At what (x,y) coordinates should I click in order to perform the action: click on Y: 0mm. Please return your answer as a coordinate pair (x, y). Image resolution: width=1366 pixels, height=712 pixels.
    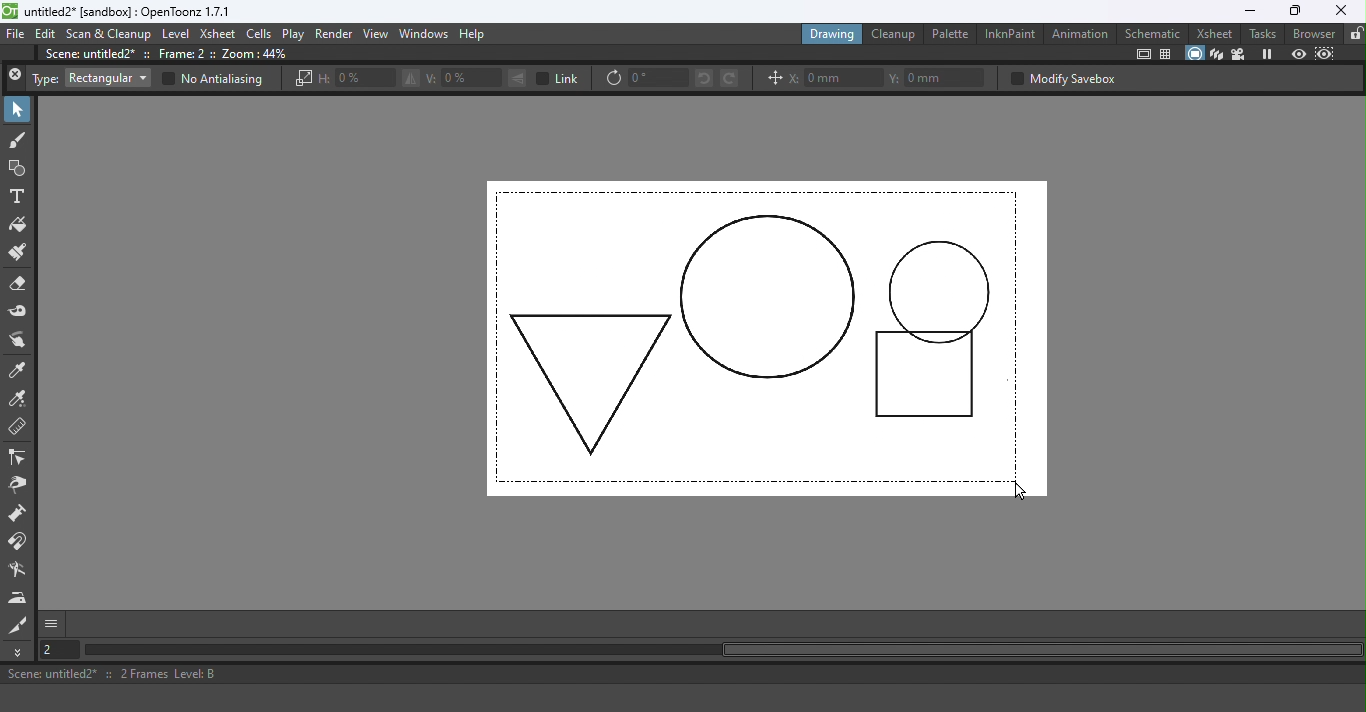
    Looking at the image, I should click on (939, 78).